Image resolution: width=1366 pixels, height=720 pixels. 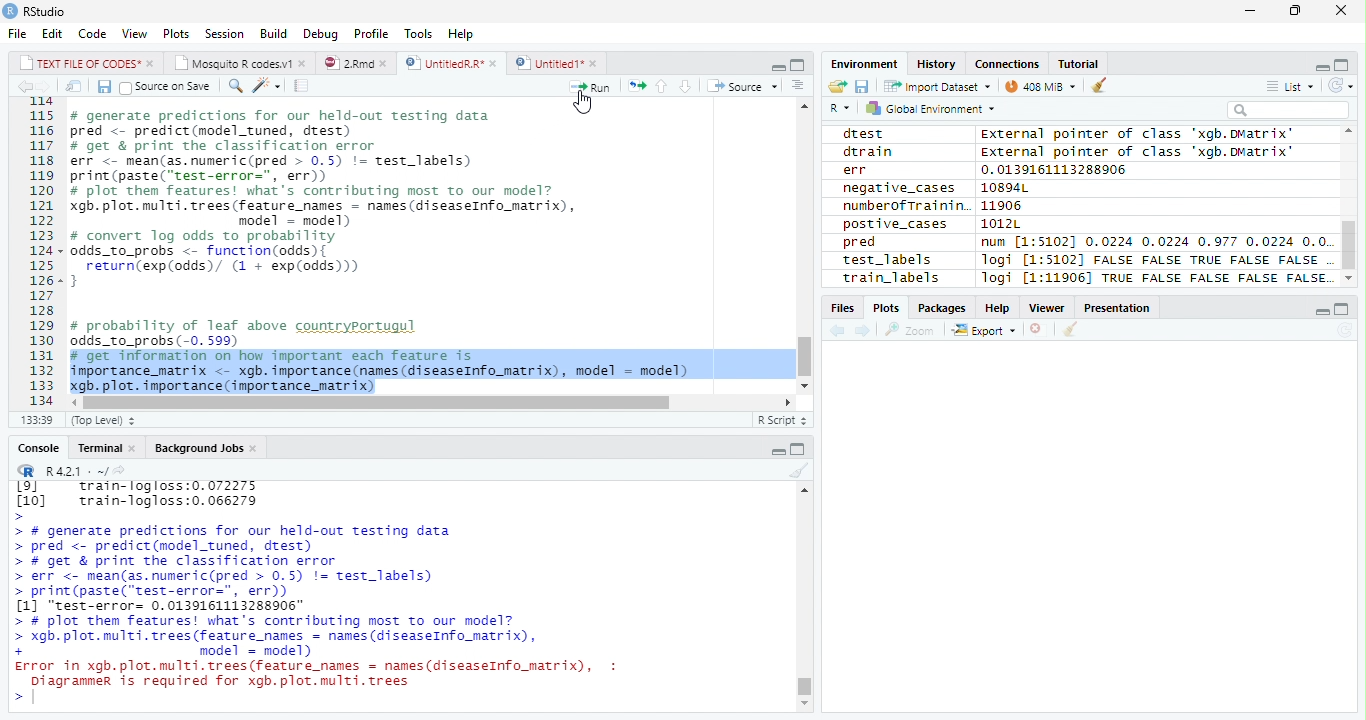 What do you see at coordinates (1119, 306) in the screenshot?
I see `Presentation` at bounding box center [1119, 306].